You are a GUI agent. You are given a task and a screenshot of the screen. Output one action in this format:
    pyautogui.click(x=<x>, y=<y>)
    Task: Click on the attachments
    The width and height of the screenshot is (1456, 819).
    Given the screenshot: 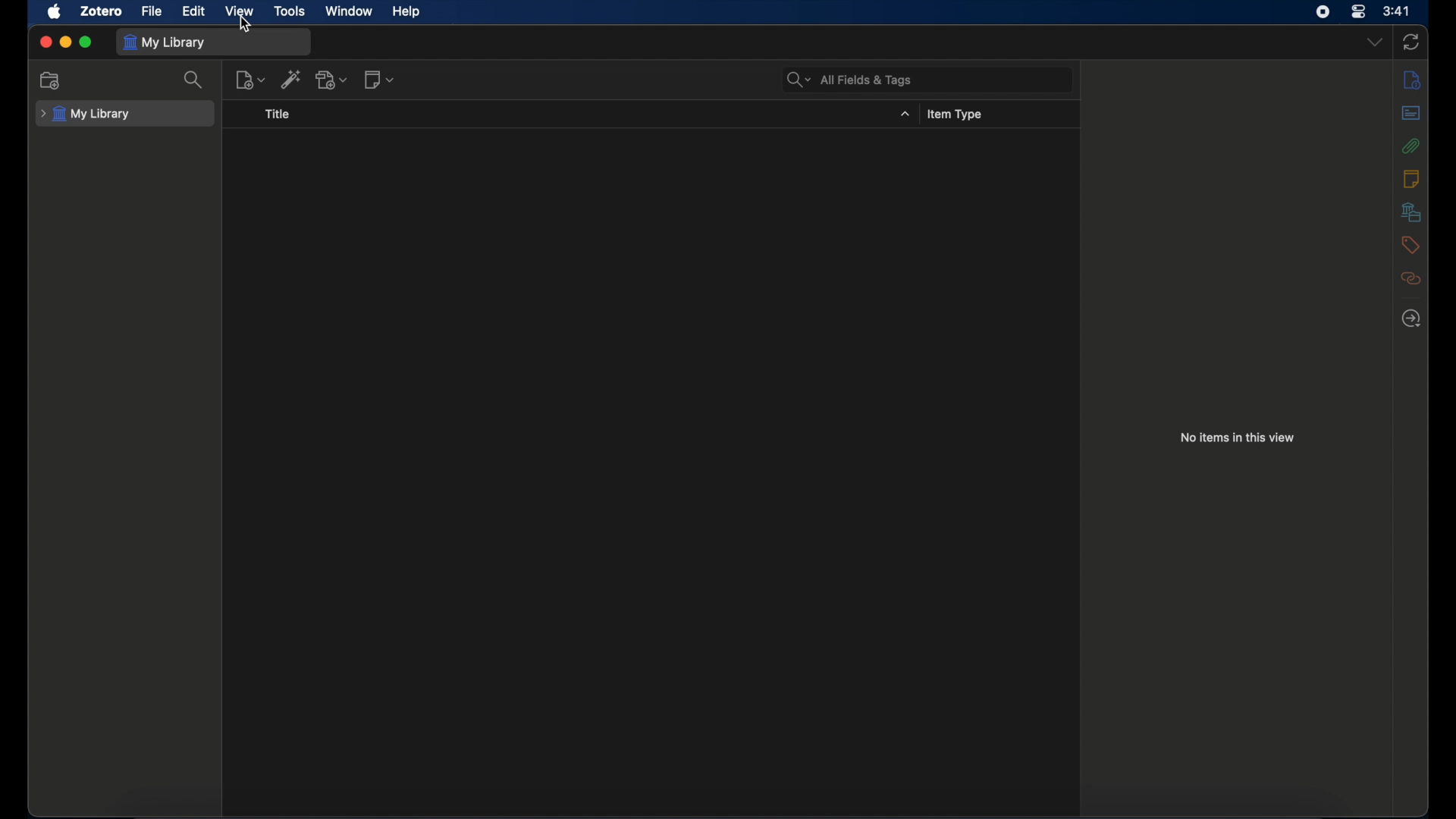 What is the action you would take?
    pyautogui.click(x=1410, y=146)
    